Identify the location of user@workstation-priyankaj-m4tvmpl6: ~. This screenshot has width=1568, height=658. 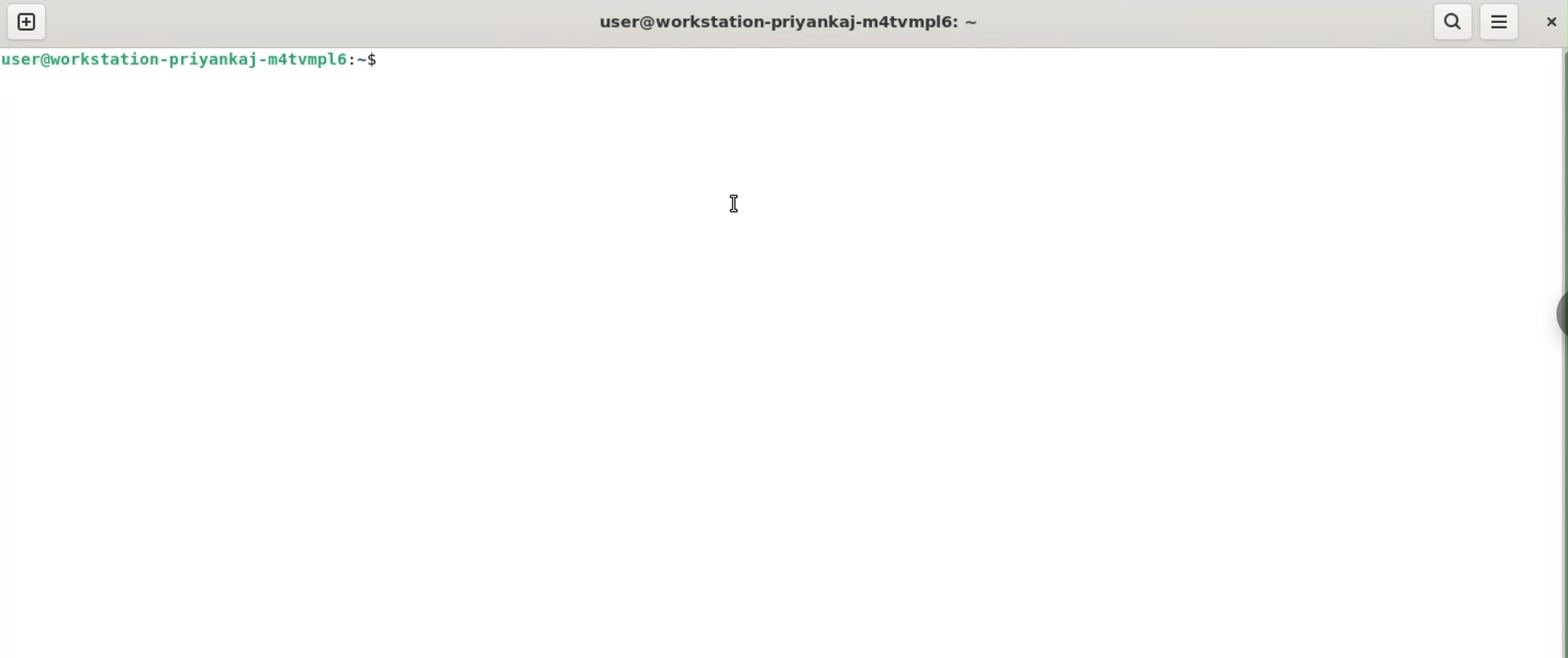
(786, 25).